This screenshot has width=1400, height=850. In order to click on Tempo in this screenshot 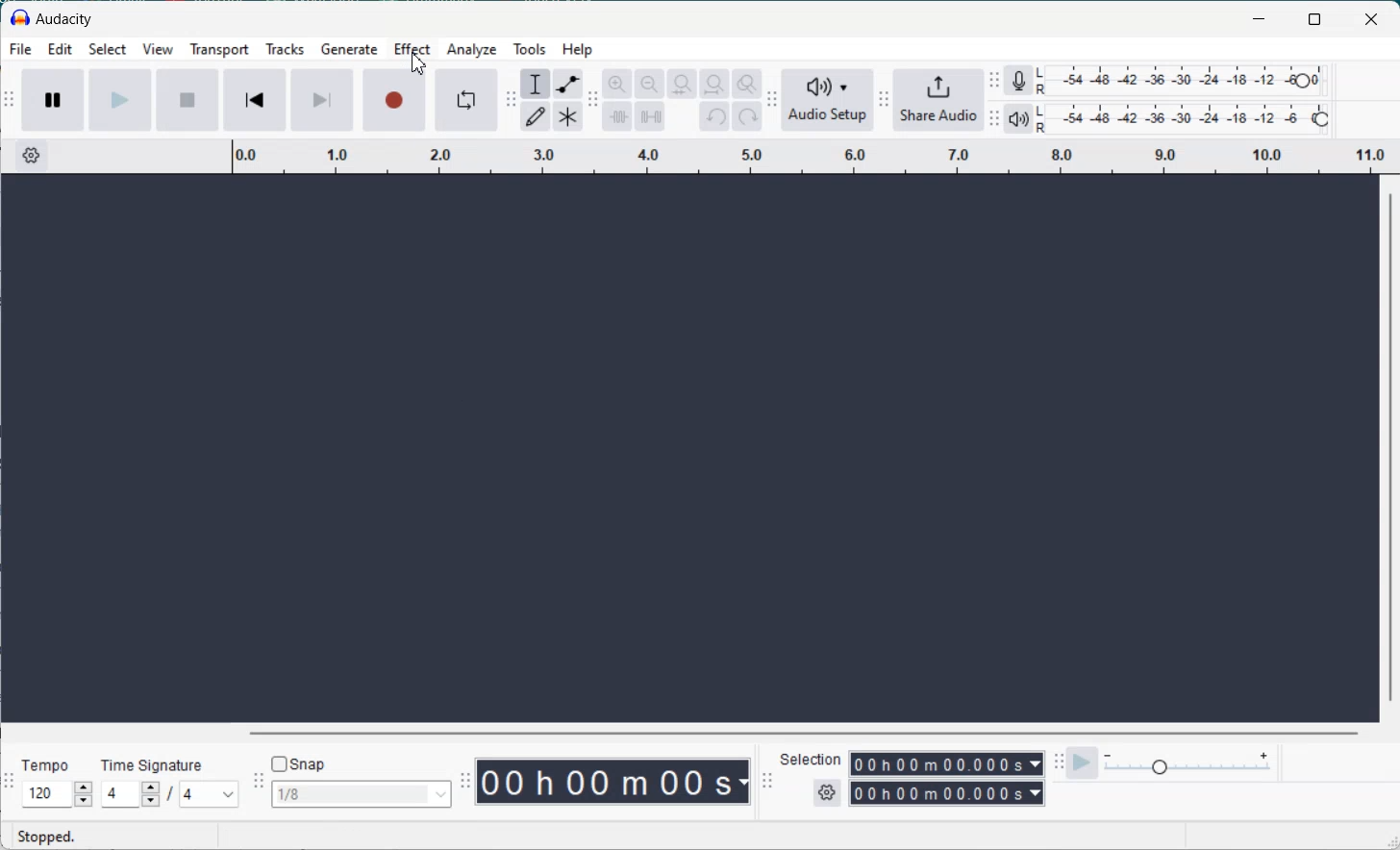, I will do `click(48, 761)`.